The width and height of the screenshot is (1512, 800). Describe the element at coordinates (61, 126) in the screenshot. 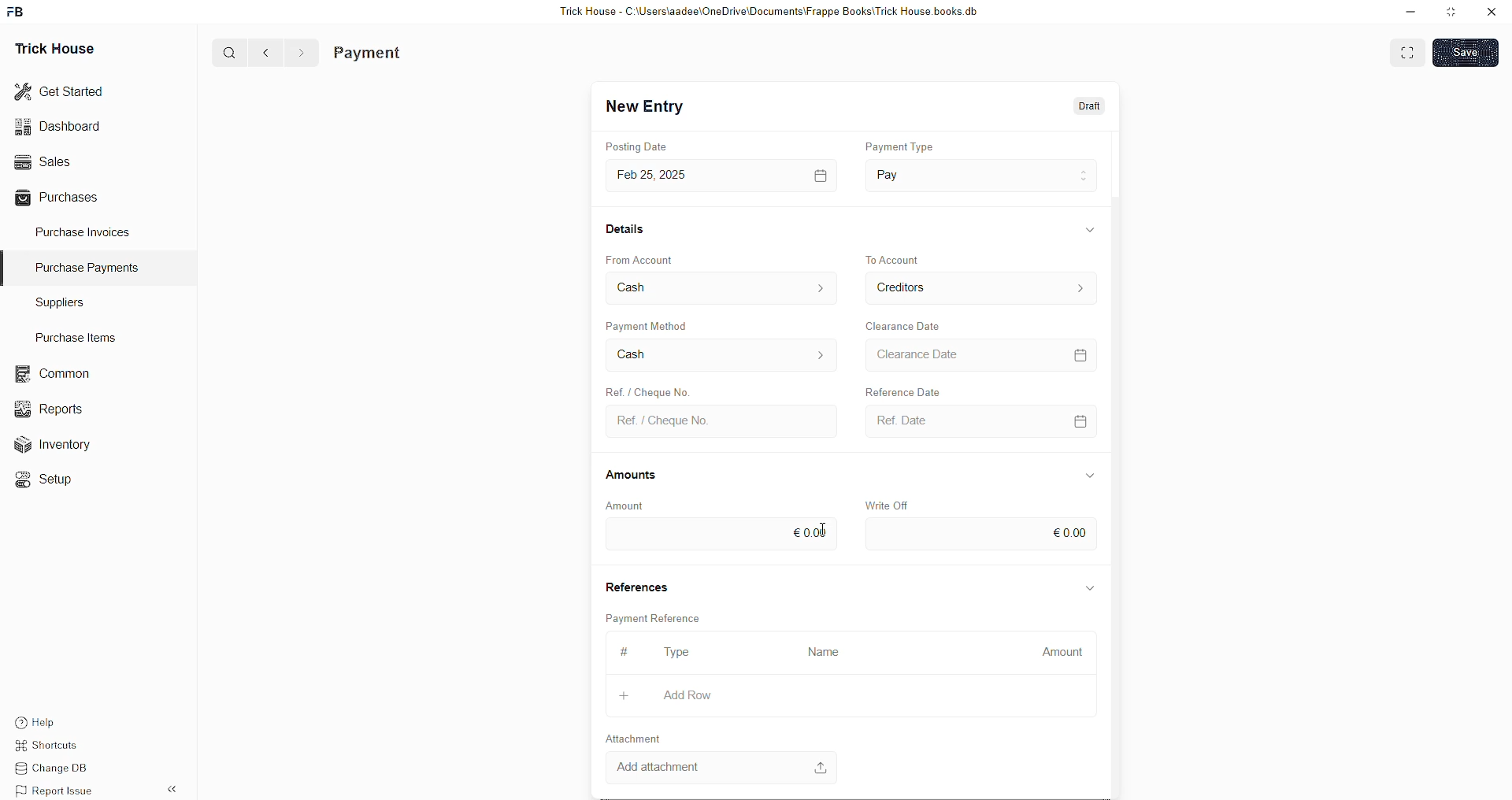

I see `Dashboard` at that location.